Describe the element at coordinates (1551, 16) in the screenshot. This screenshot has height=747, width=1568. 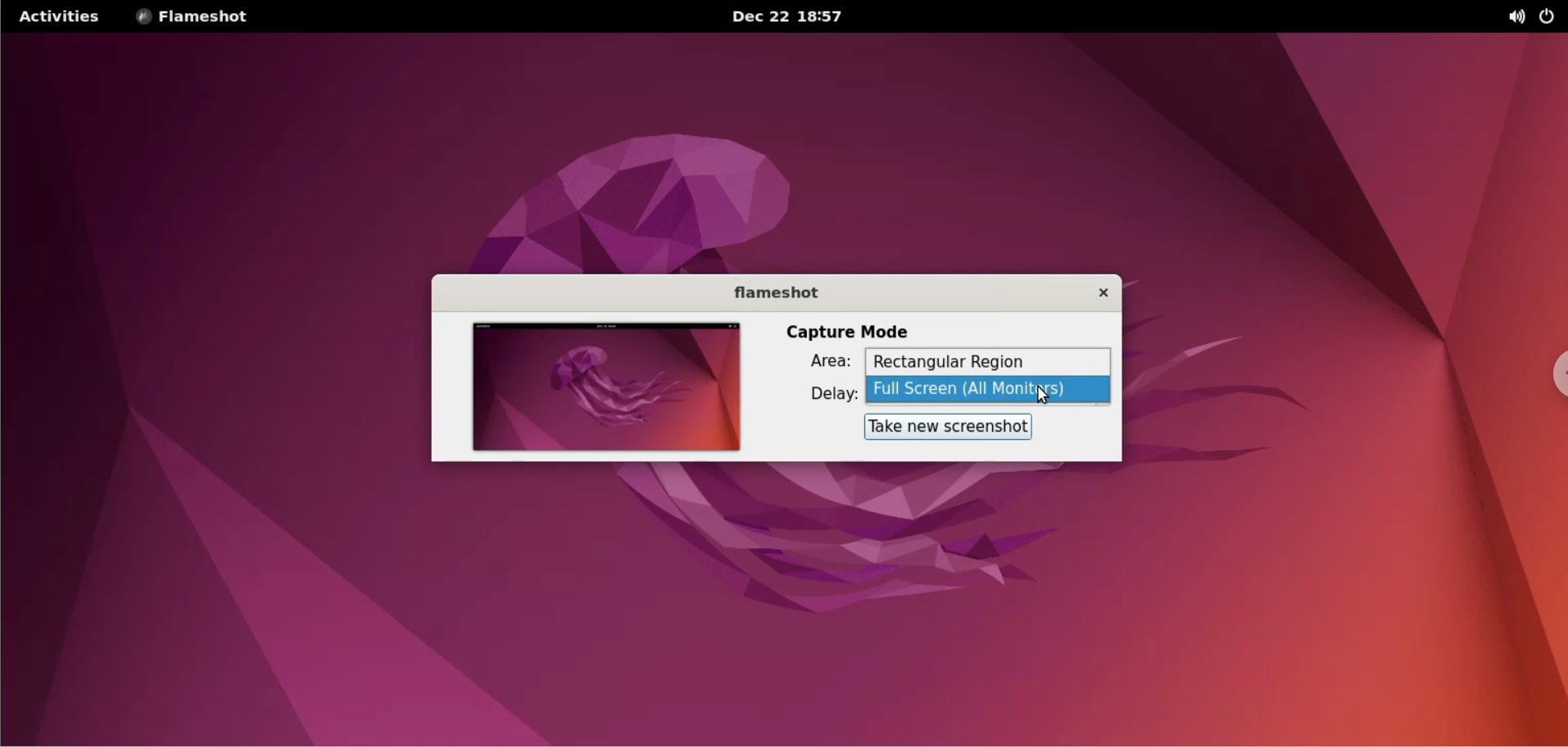
I see `power options ` at that location.